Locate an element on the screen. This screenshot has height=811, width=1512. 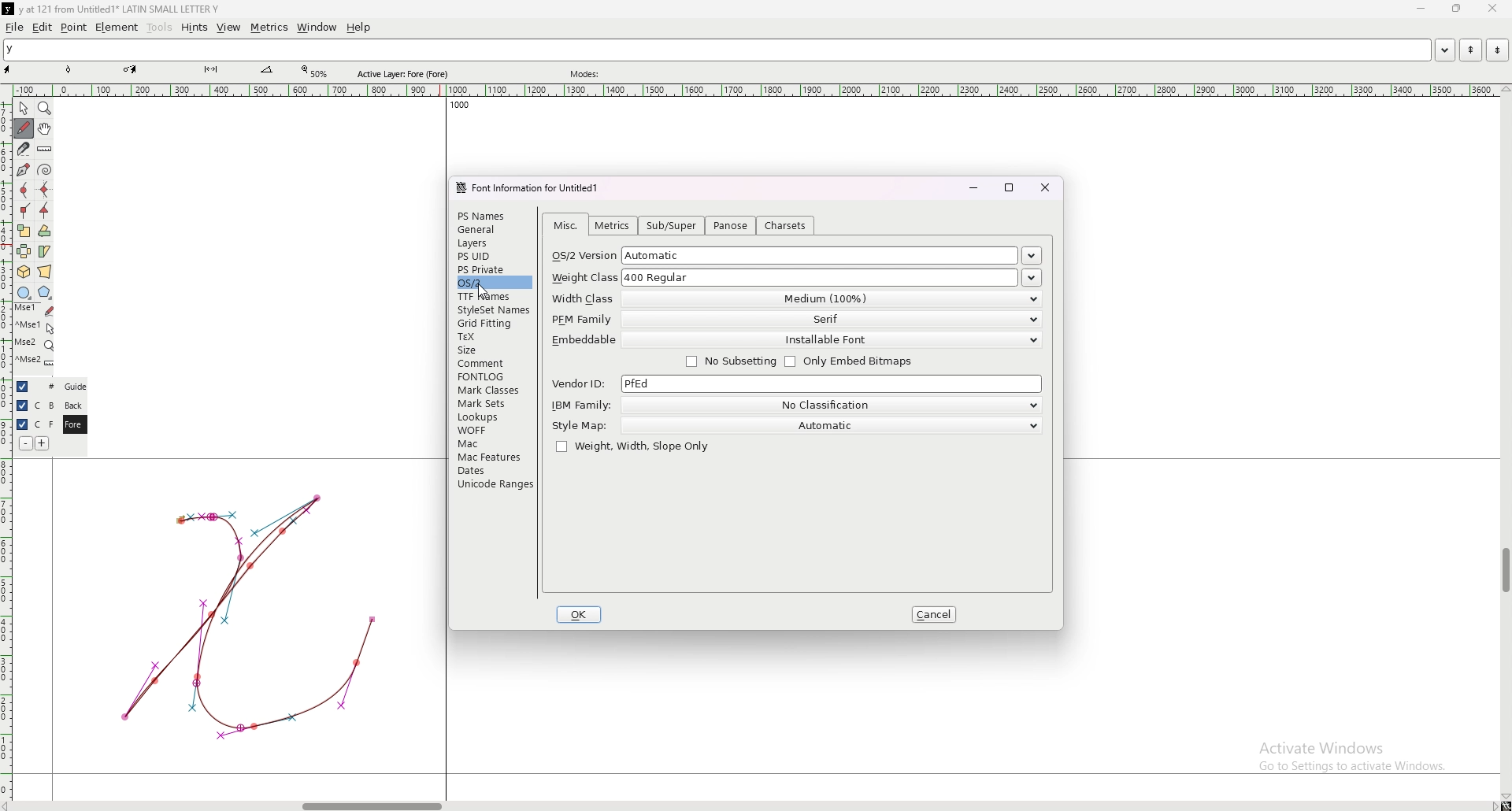
metrics is located at coordinates (611, 225).